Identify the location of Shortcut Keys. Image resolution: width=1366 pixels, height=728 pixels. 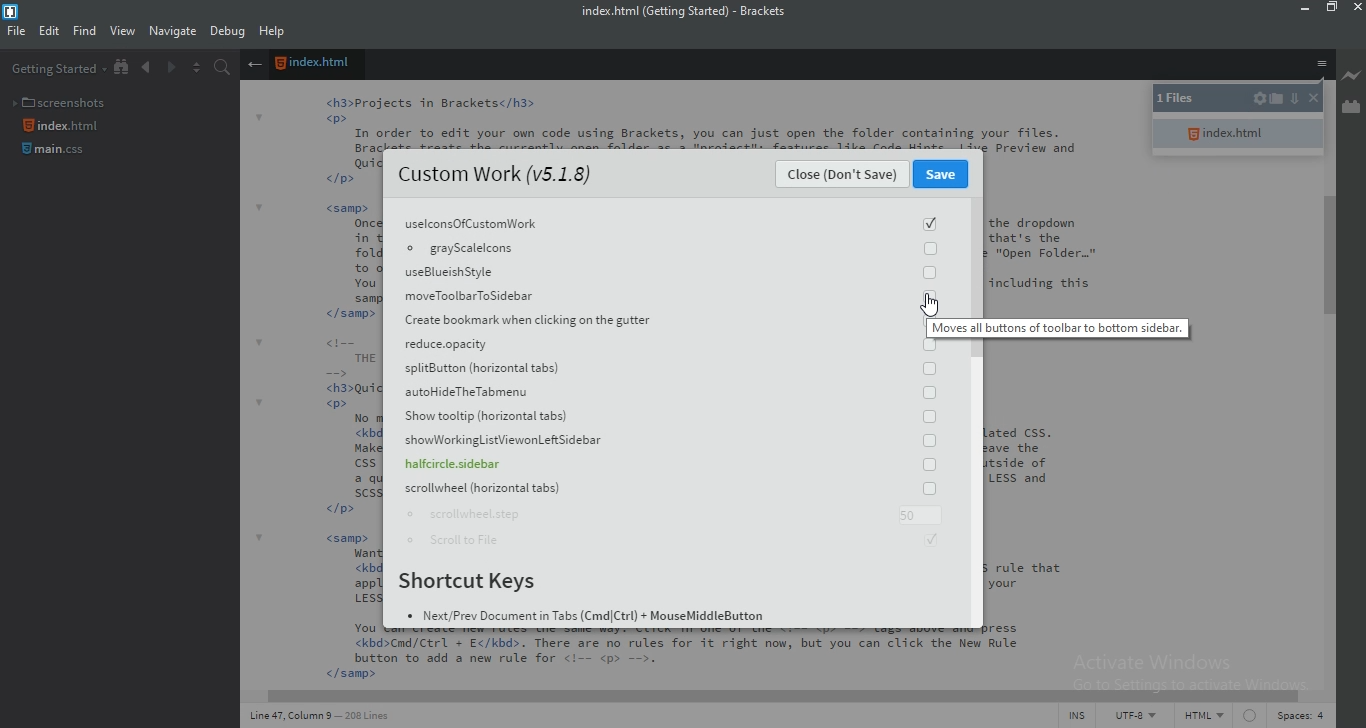
(475, 583).